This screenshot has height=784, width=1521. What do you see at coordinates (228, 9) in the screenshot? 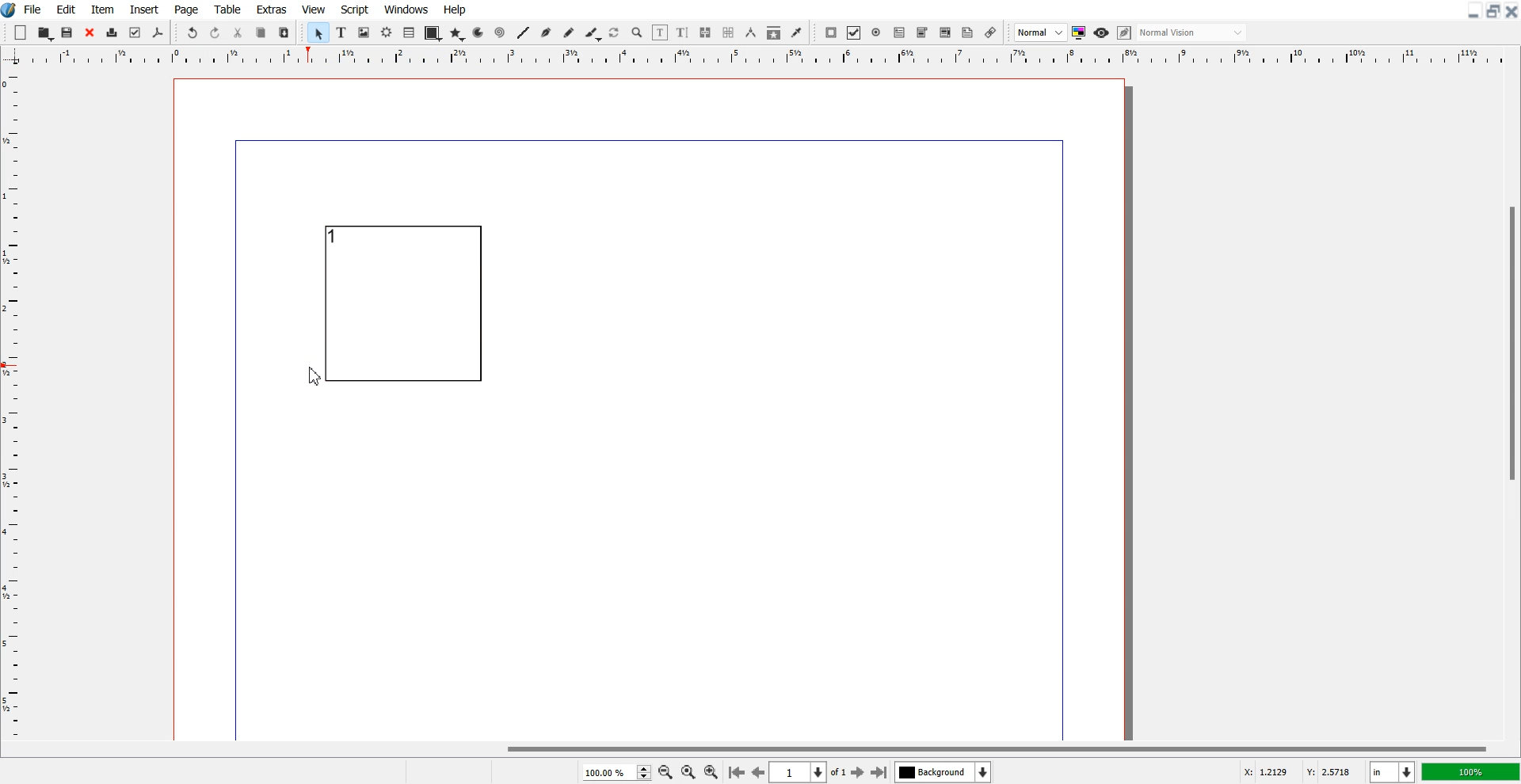
I see `Table` at bounding box center [228, 9].